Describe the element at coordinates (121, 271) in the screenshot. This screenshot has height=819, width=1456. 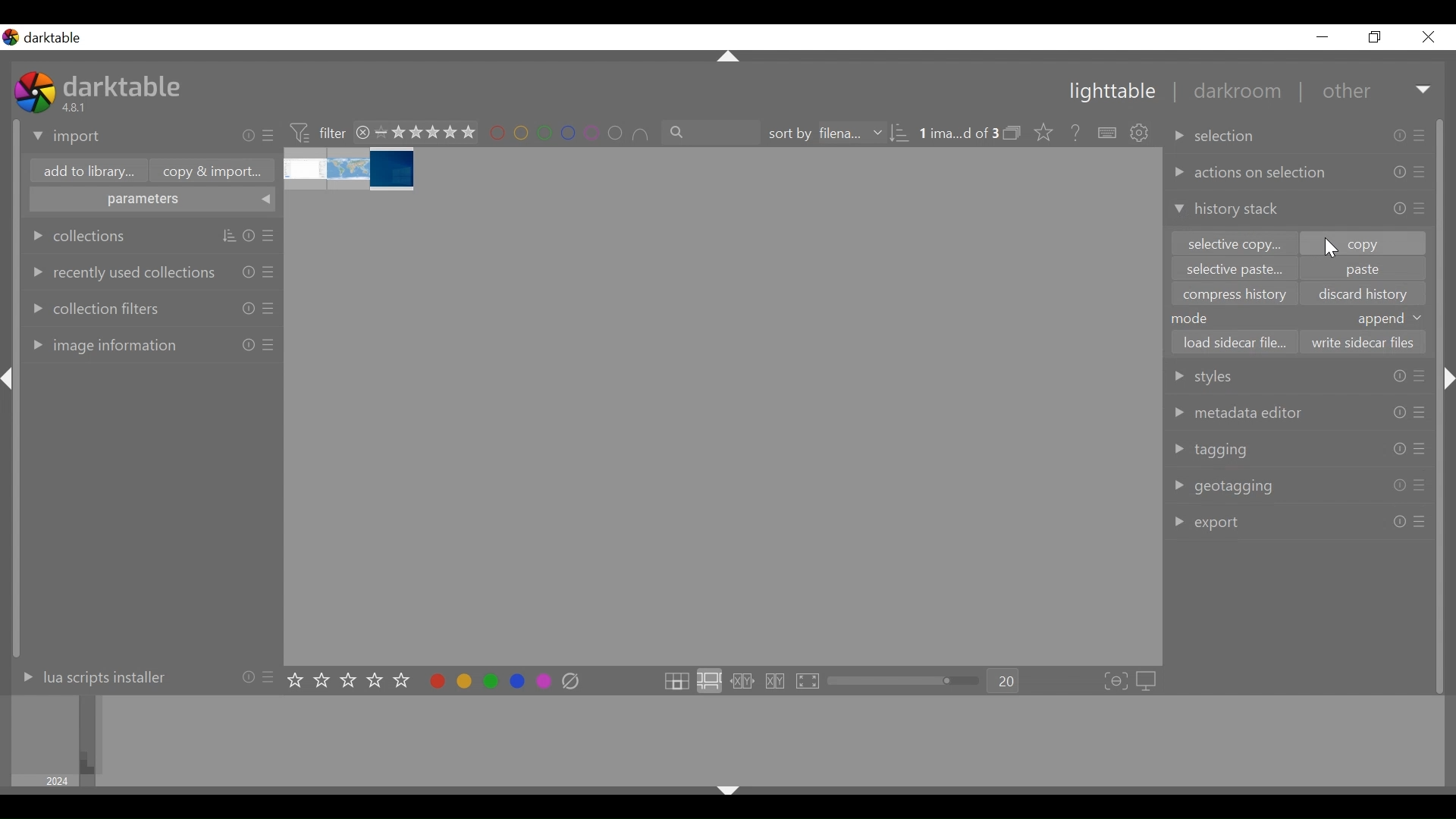
I see `recently used collections` at that location.